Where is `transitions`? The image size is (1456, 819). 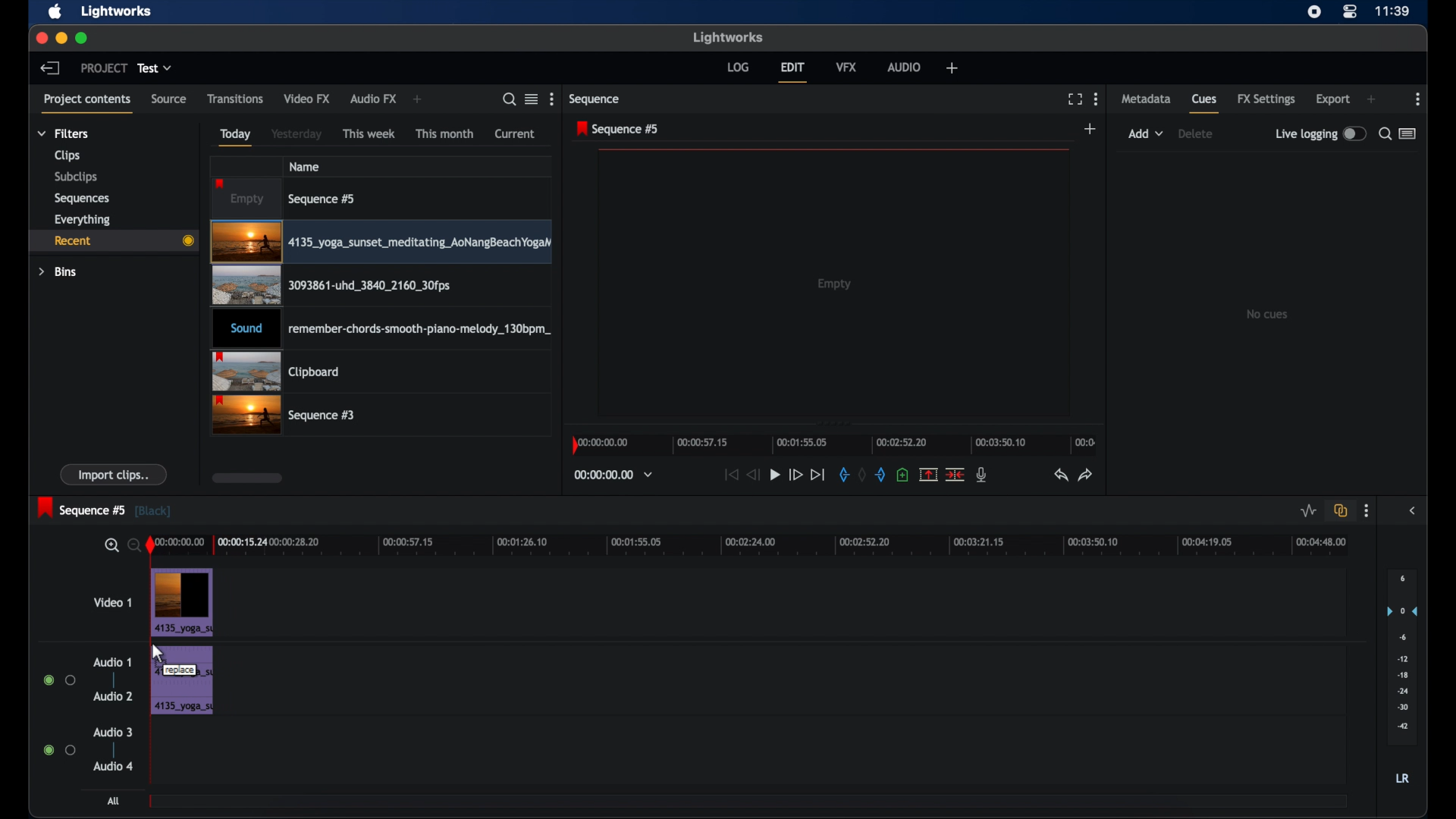 transitions is located at coordinates (235, 98).